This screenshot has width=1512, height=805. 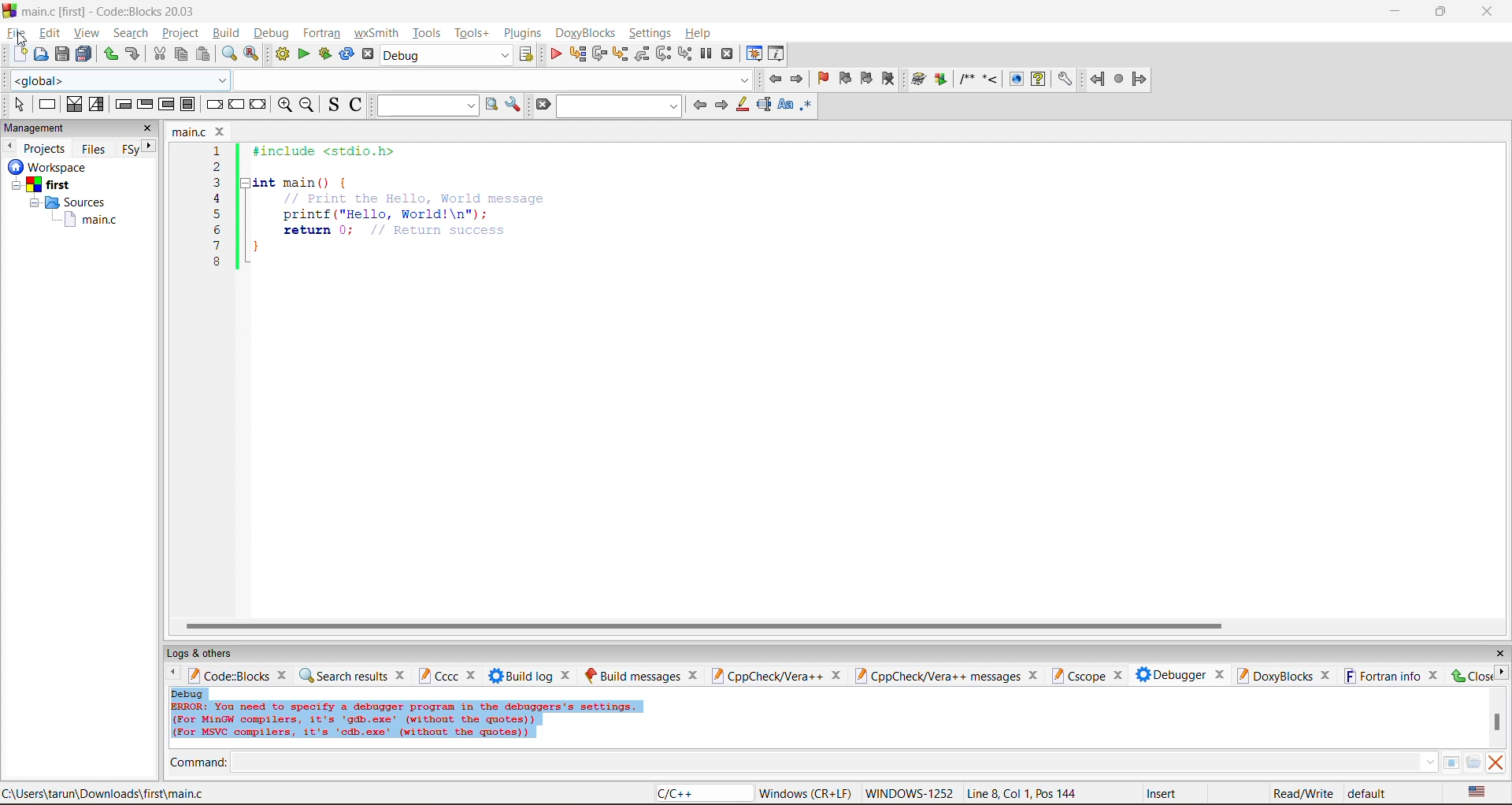 I want to click on code completion compiler, so click(x=378, y=80).